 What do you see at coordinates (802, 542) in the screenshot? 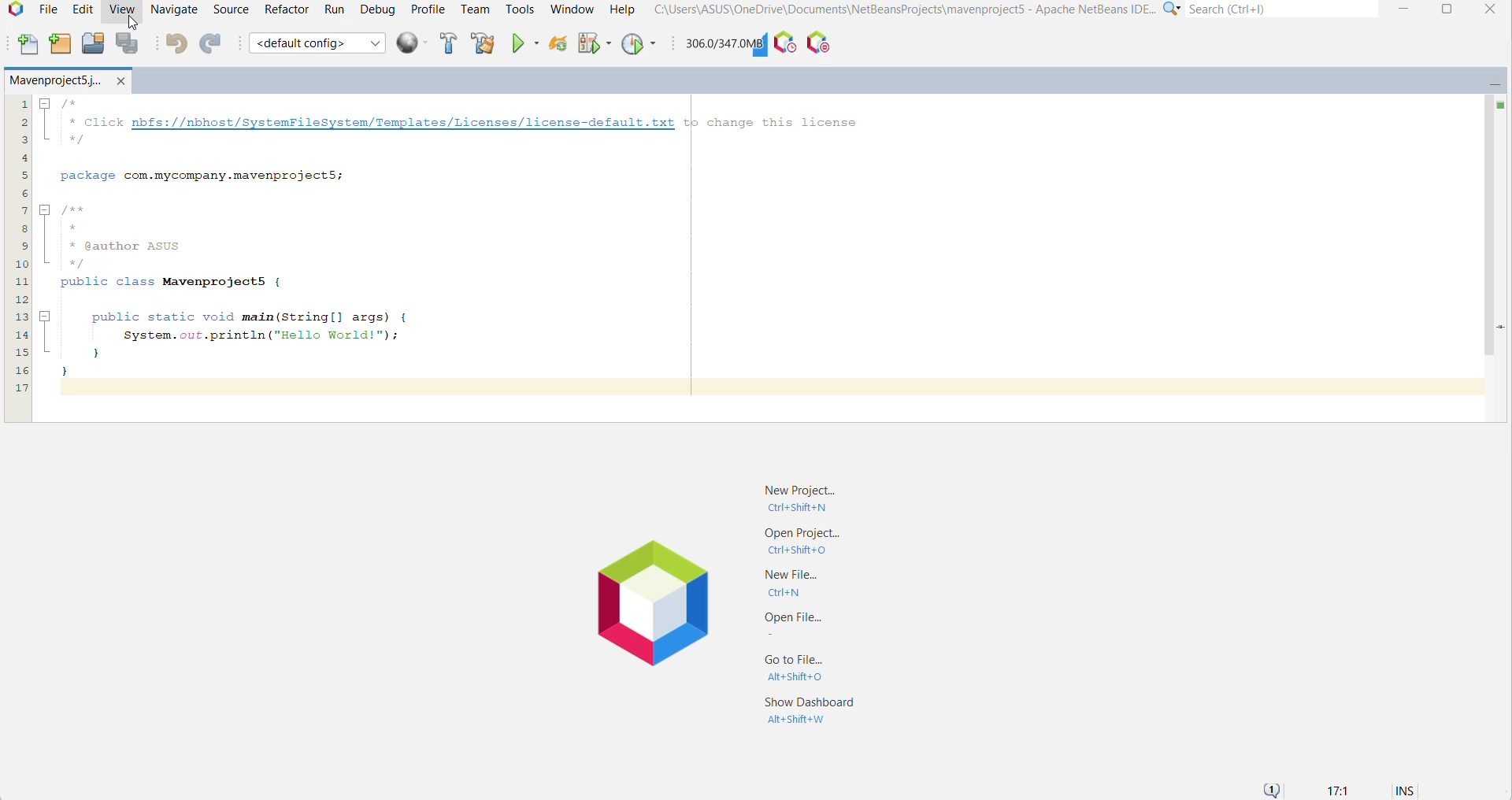
I see `Open Project` at bounding box center [802, 542].